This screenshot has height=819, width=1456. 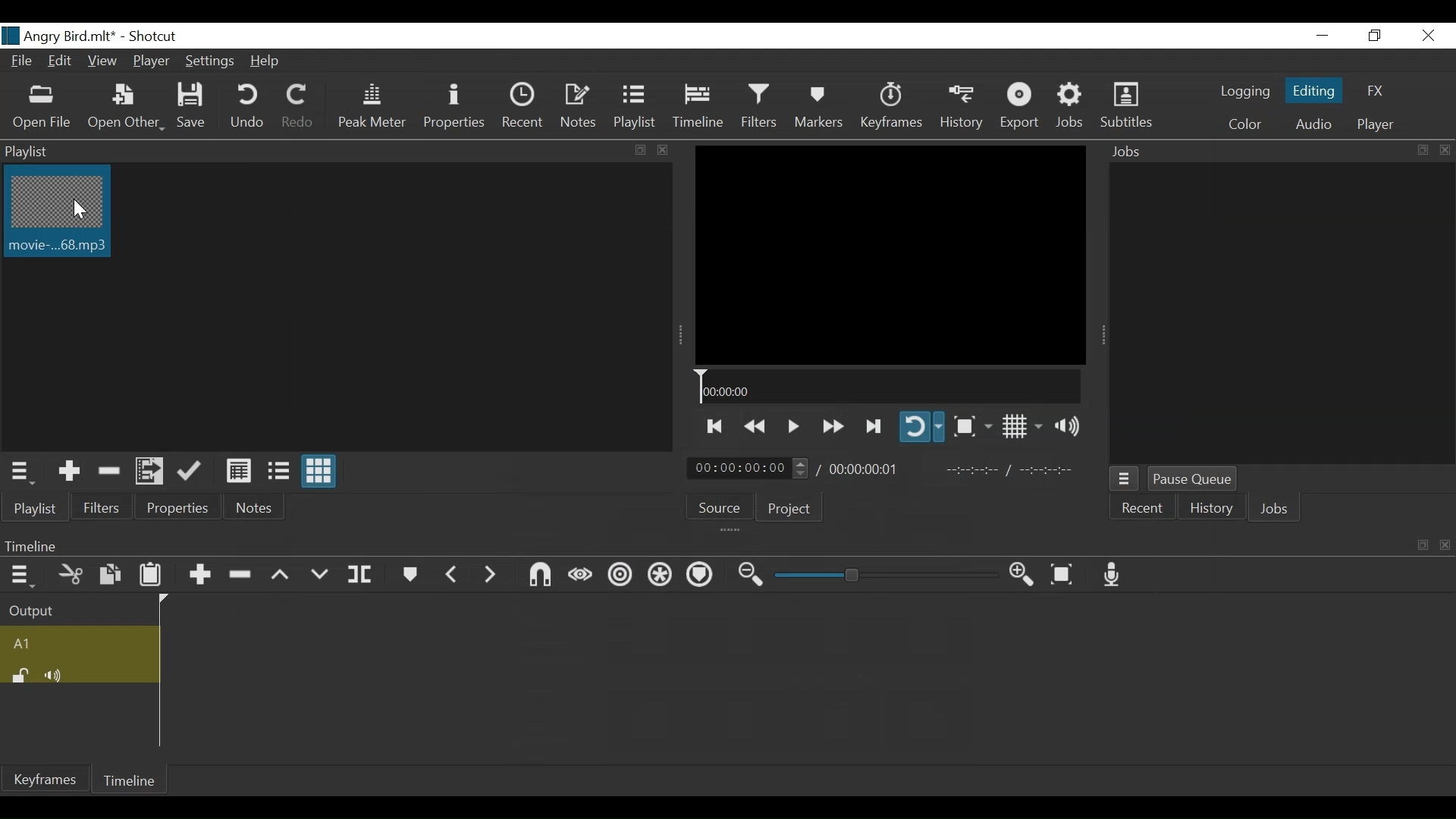 I want to click on Paste, so click(x=152, y=574).